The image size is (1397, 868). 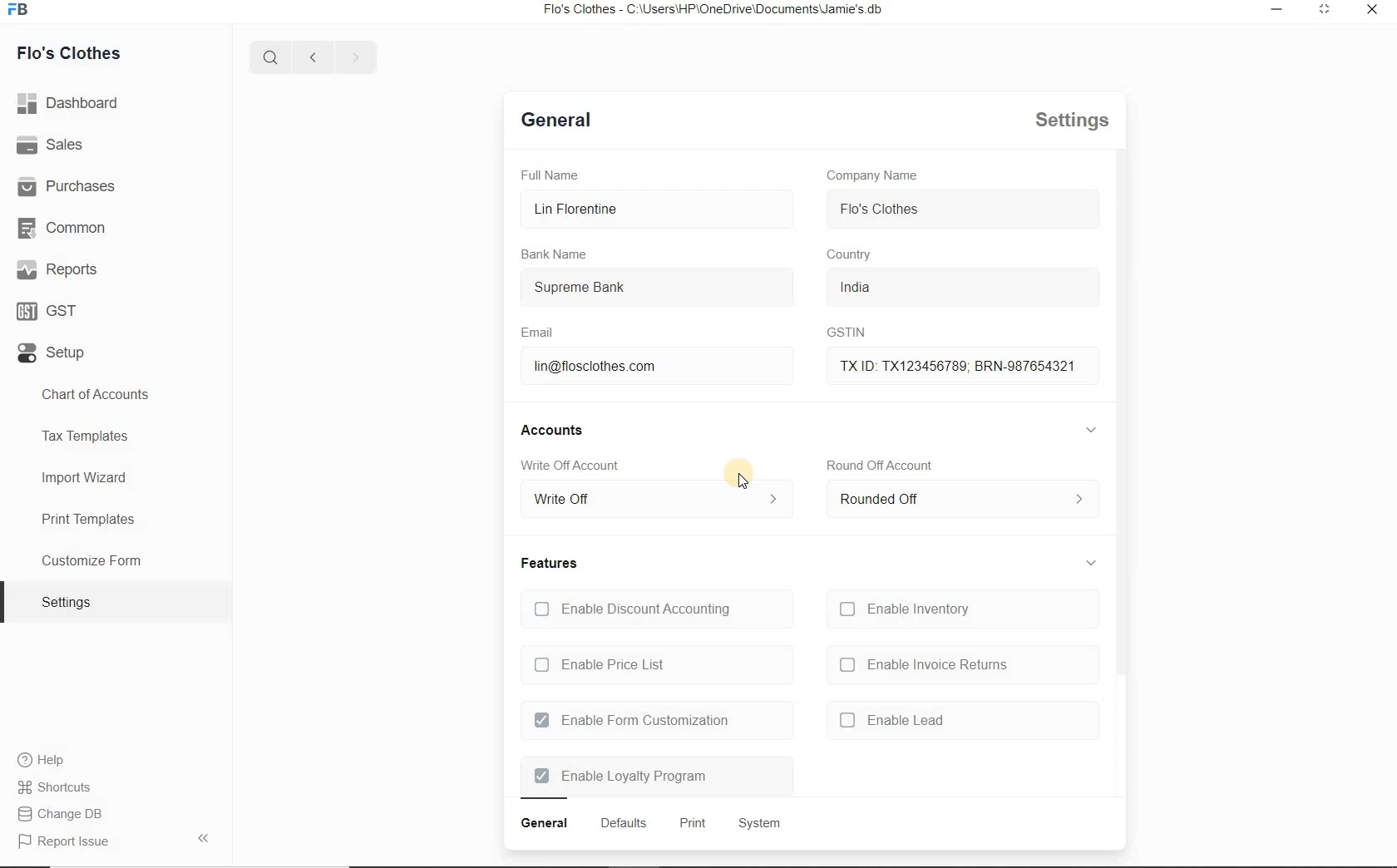 I want to click on General, so click(x=543, y=822).